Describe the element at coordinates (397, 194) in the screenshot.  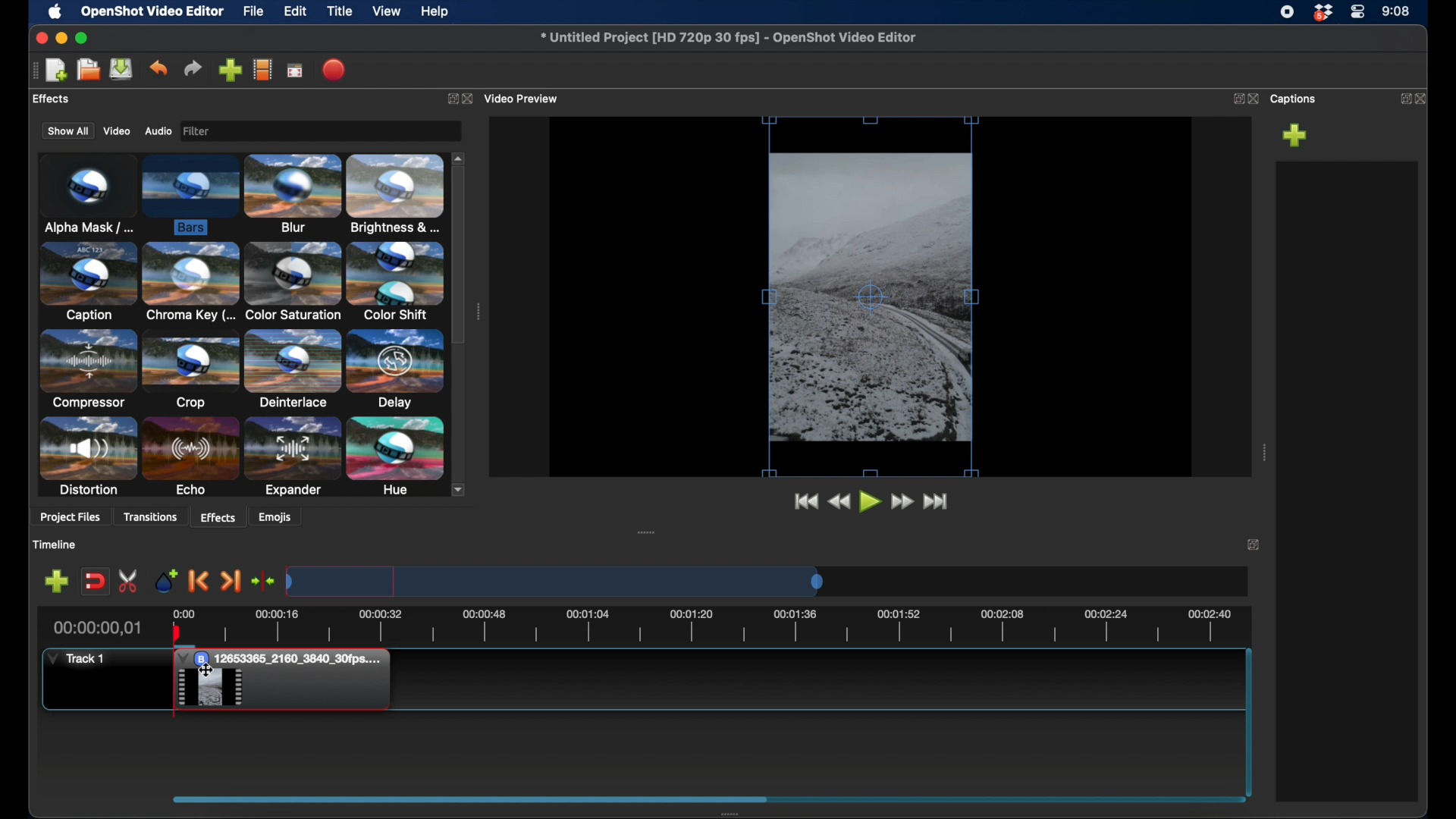
I see `brightness & contrast` at that location.